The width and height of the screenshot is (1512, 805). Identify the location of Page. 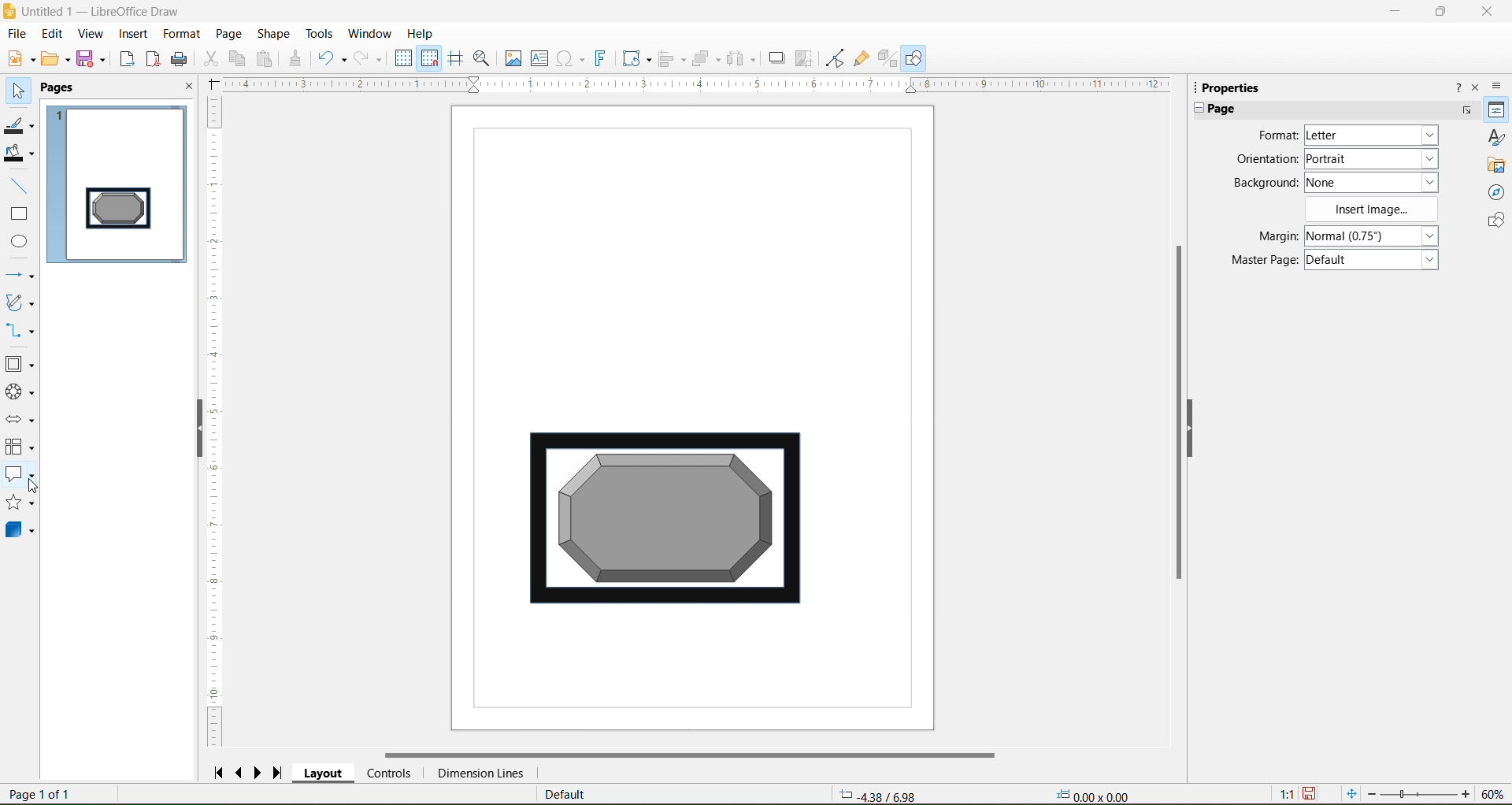
(227, 32).